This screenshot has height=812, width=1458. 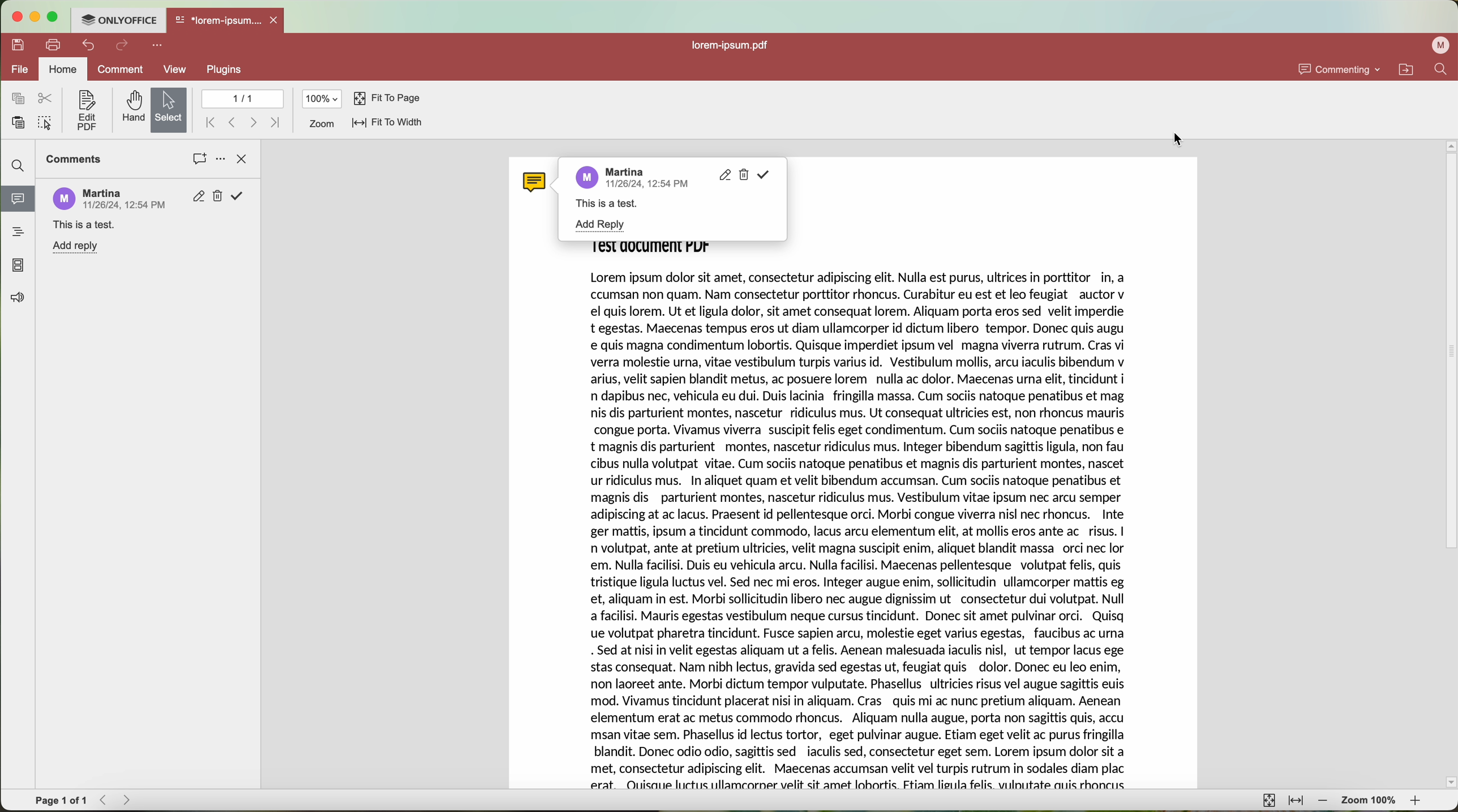 I want to click on open file, so click(x=227, y=21).